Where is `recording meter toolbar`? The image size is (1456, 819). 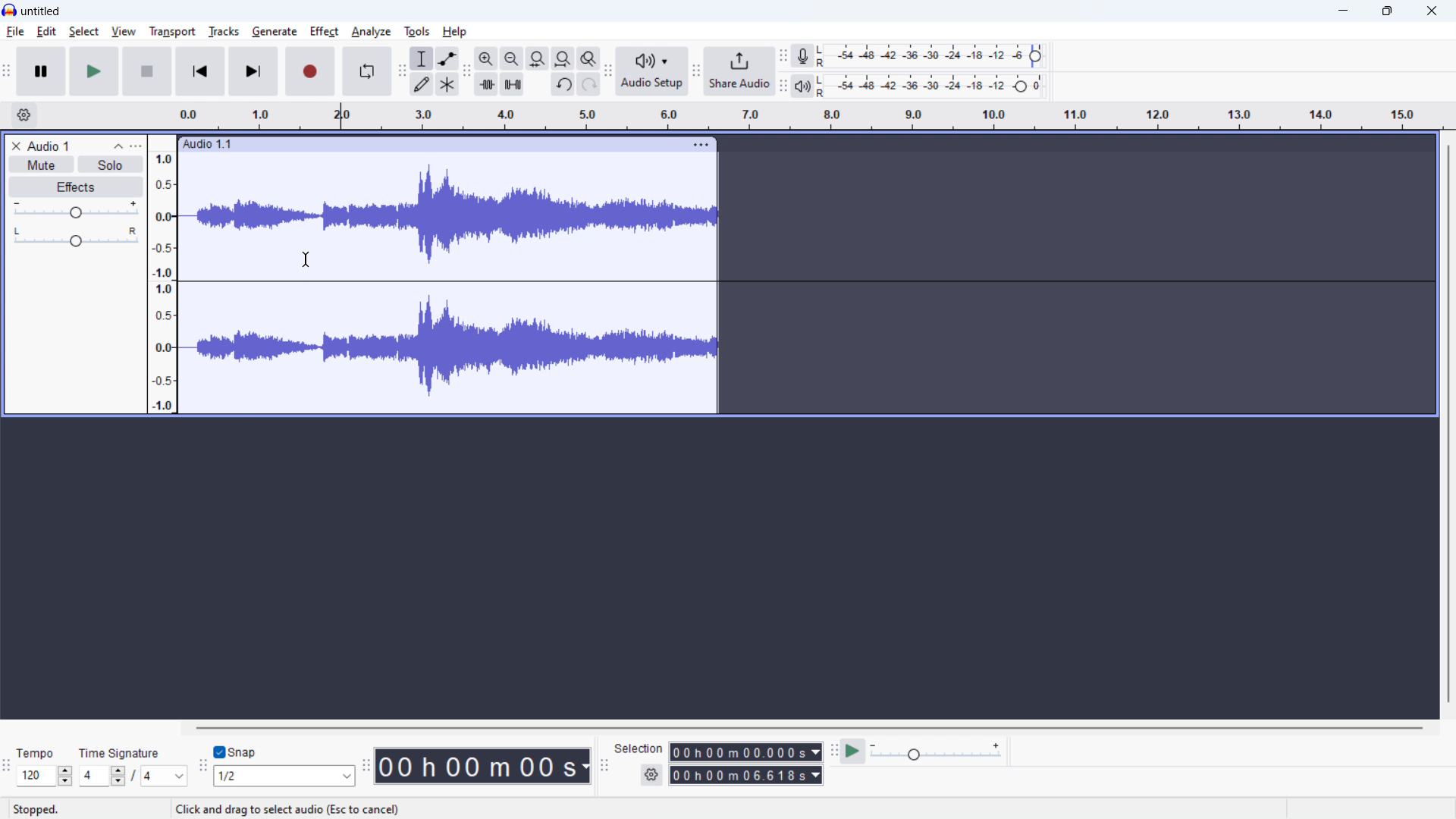
recording meter toolbar is located at coordinates (783, 55).